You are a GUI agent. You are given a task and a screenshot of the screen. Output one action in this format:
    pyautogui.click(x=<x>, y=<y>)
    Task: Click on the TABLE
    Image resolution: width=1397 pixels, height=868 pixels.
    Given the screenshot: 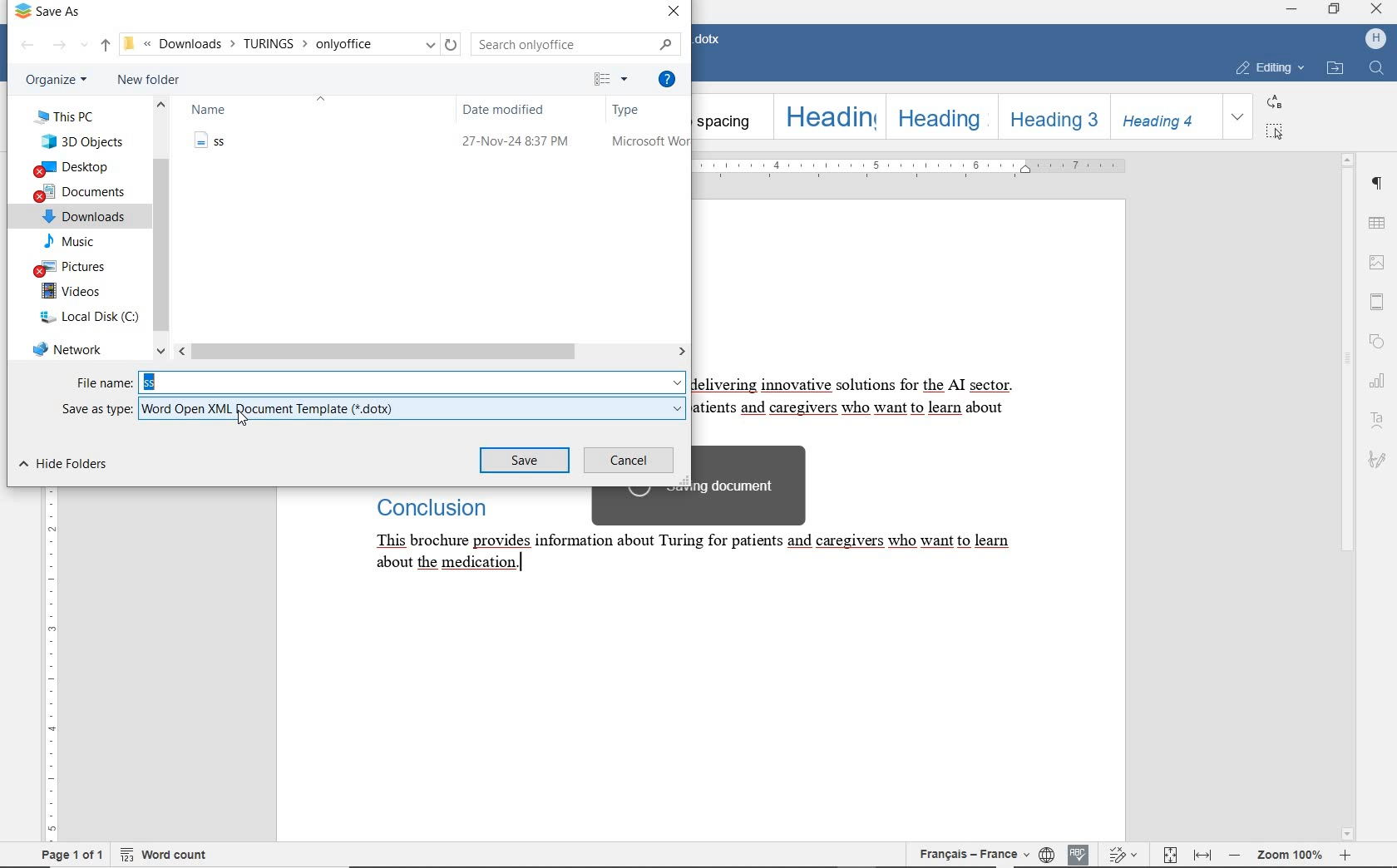 What is the action you would take?
    pyautogui.click(x=1378, y=223)
    